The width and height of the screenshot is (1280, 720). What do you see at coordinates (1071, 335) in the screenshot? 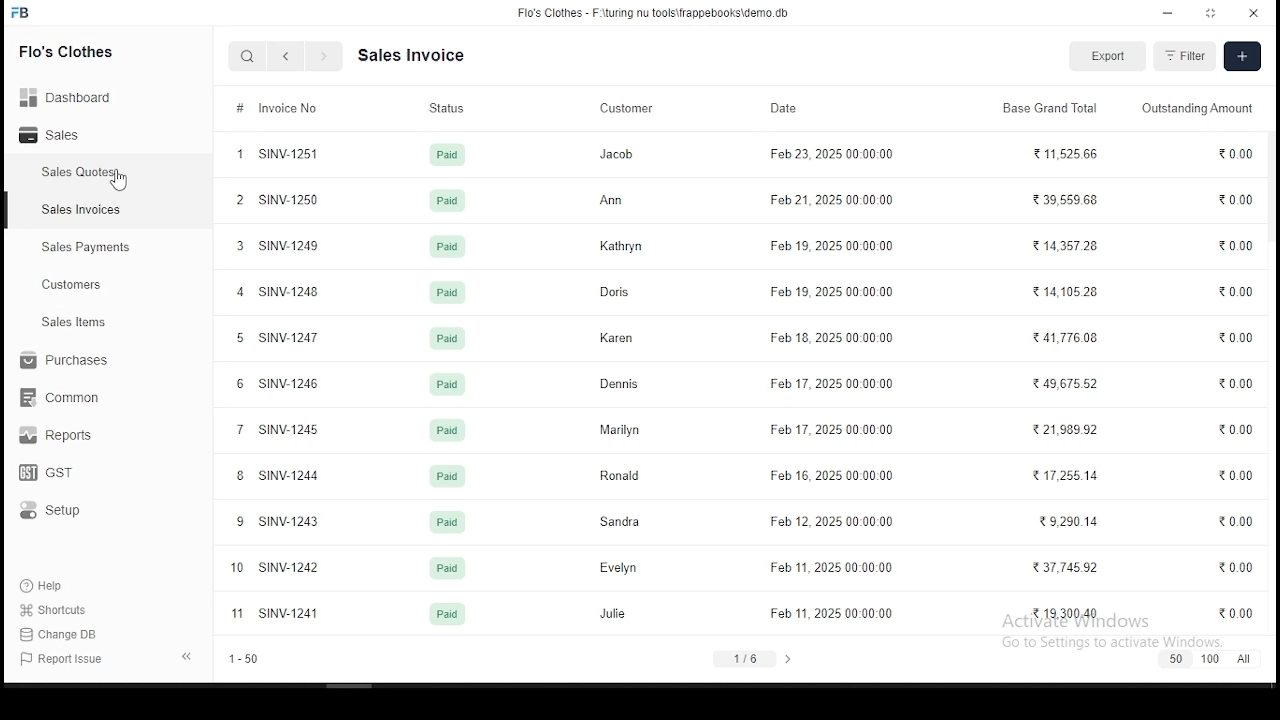
I see ` 41,776.08` at bounding box center [1071, 335].